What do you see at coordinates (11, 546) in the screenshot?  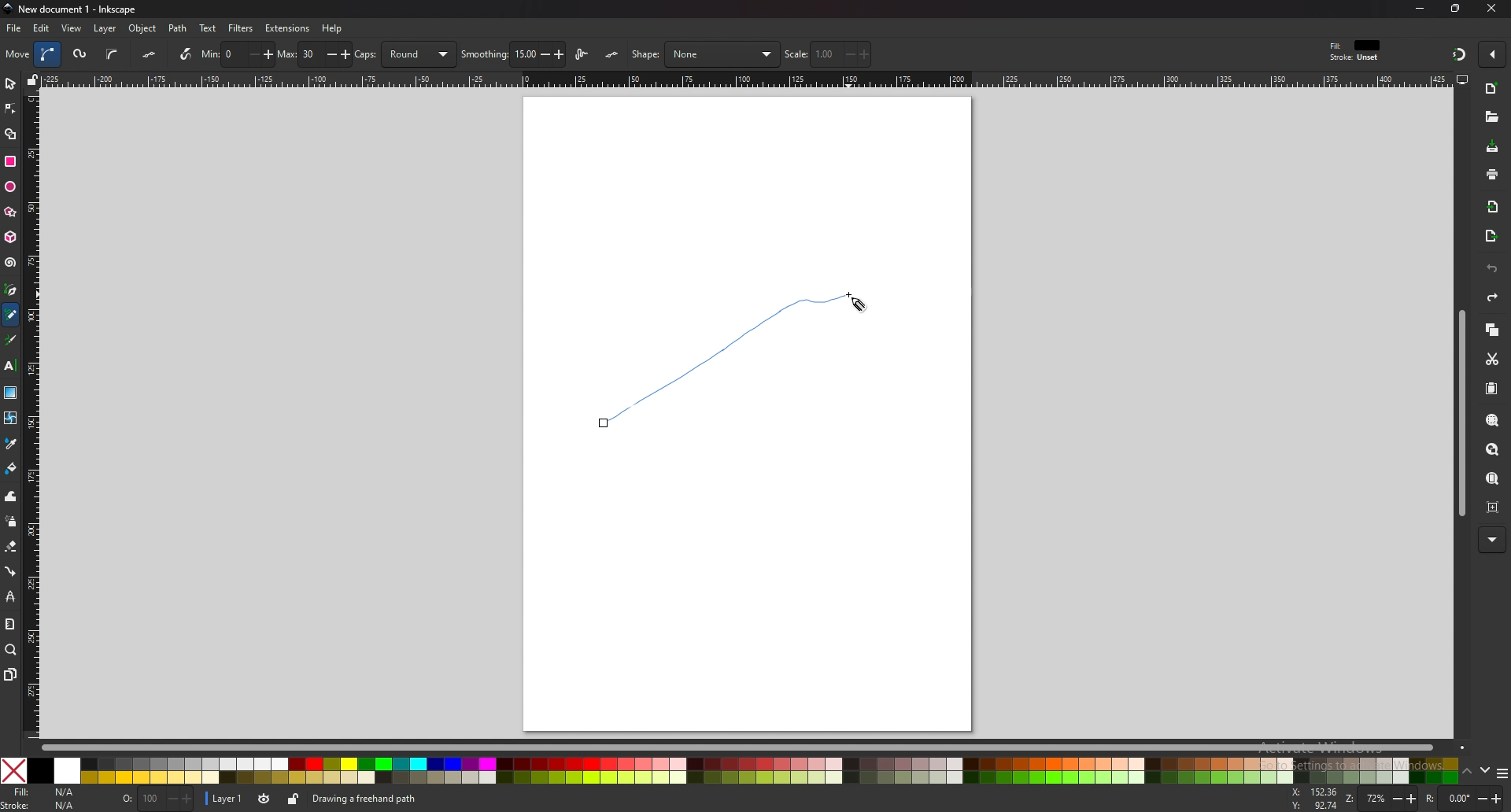 I see `eraser` at bounding box center [11, 546].